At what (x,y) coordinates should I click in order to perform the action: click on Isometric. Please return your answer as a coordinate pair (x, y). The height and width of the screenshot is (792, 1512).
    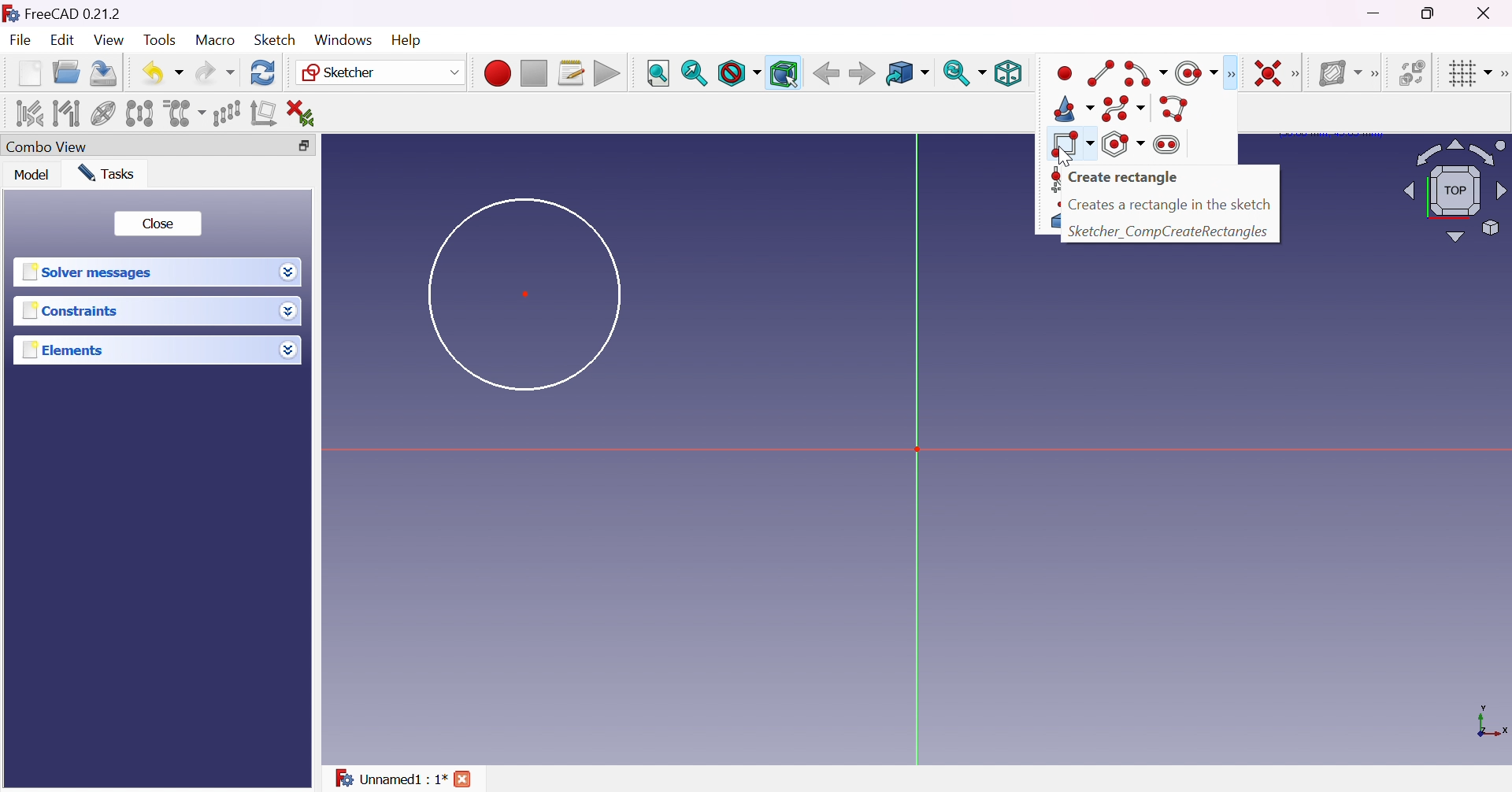
    Looking at the image, I should click on (1007, 75).